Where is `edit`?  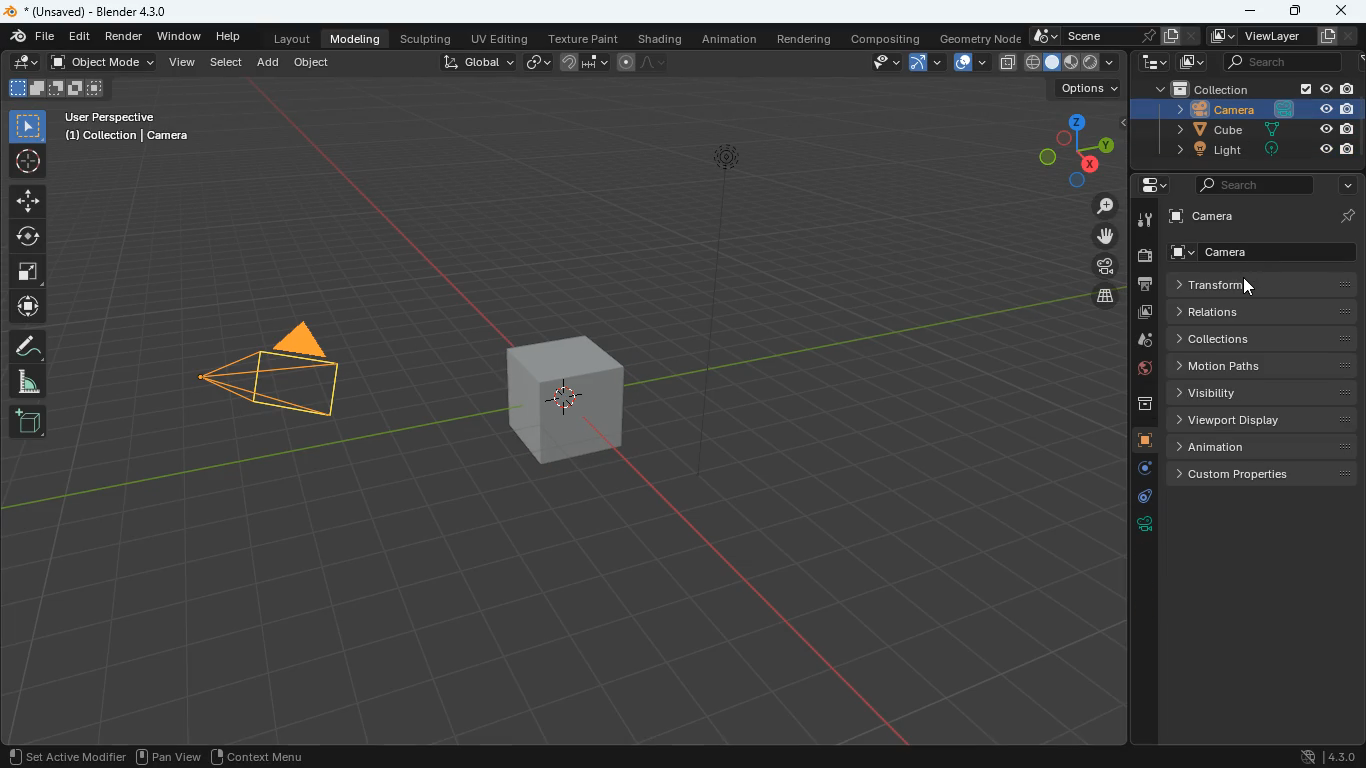 edit is located at coordinates (80, 36).